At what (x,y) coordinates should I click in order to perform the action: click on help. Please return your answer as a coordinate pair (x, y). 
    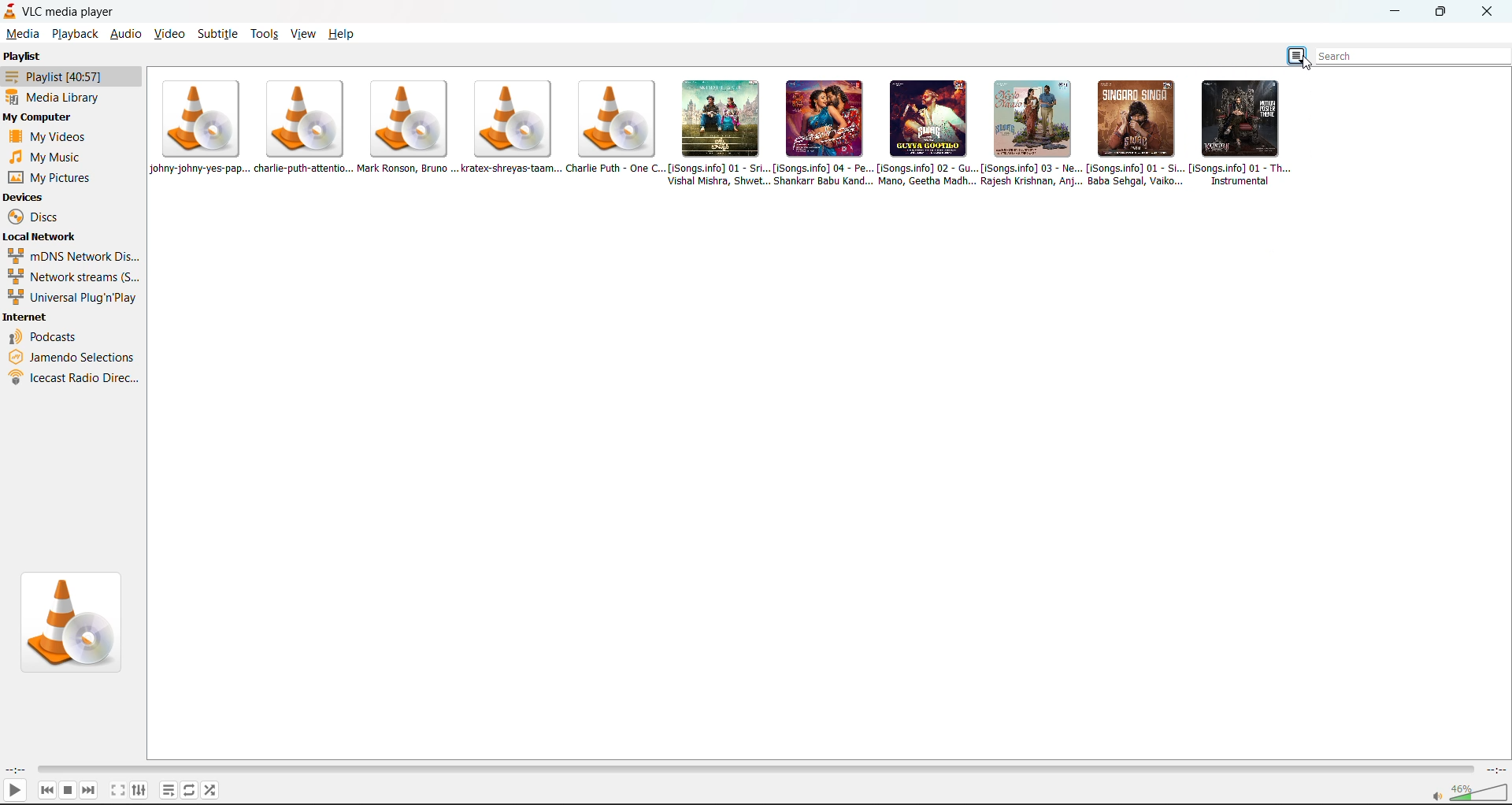
    Looking at the image, I should click on (344, 34).